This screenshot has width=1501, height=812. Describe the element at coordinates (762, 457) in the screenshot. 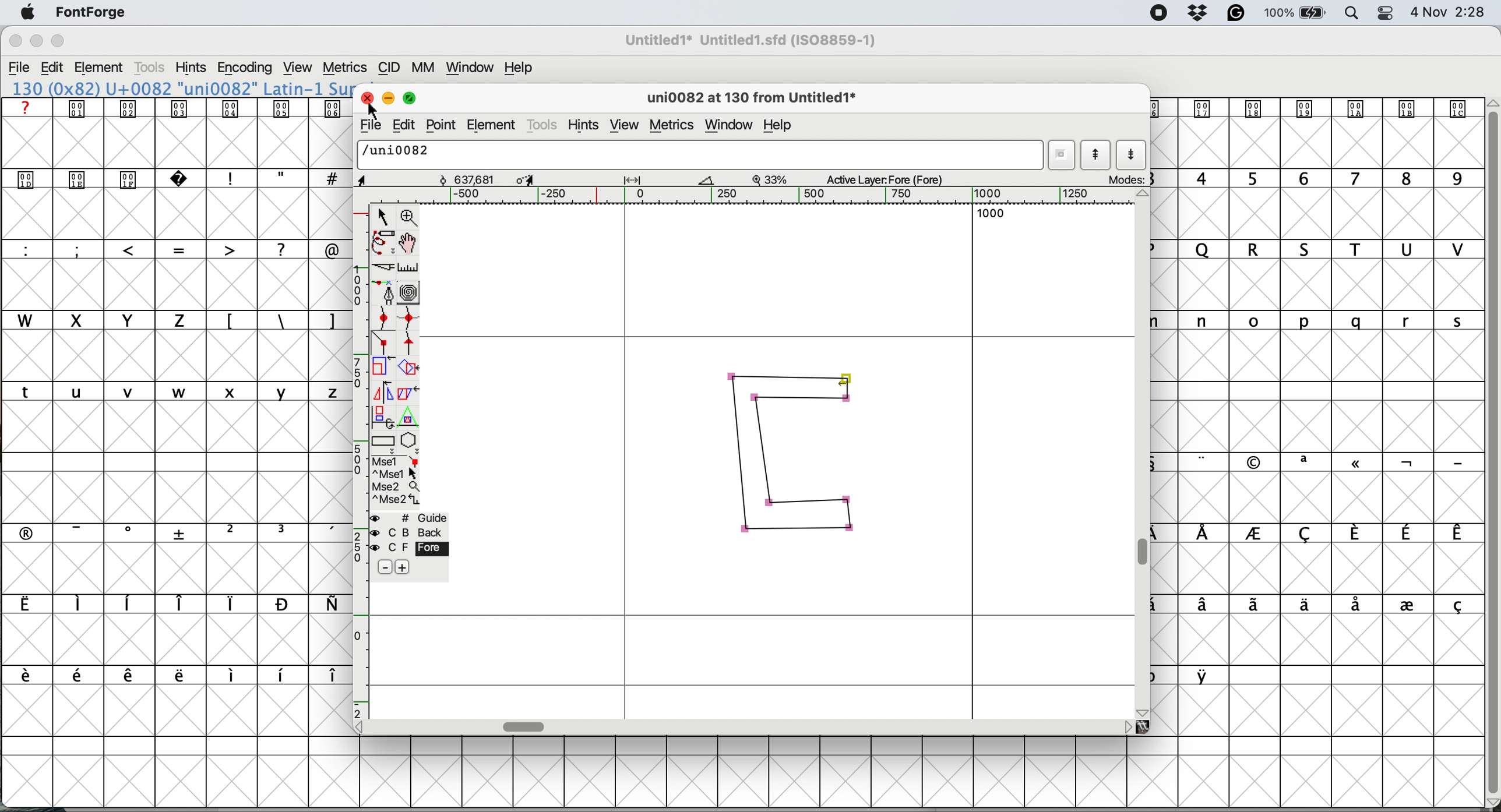

I see `corner points connected` at that location.